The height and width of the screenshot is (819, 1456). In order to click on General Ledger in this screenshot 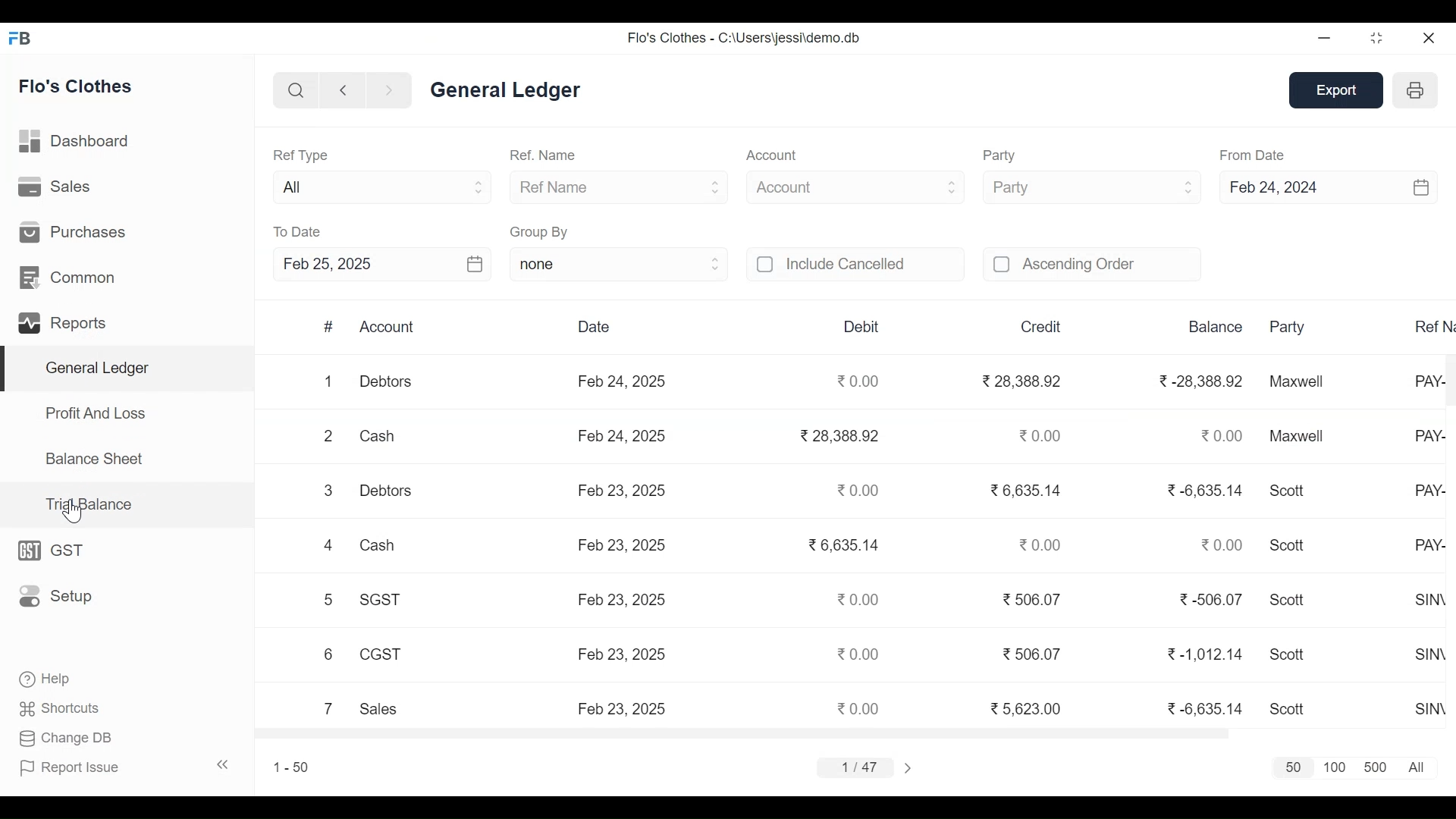, I will do `click(127, 369)`.